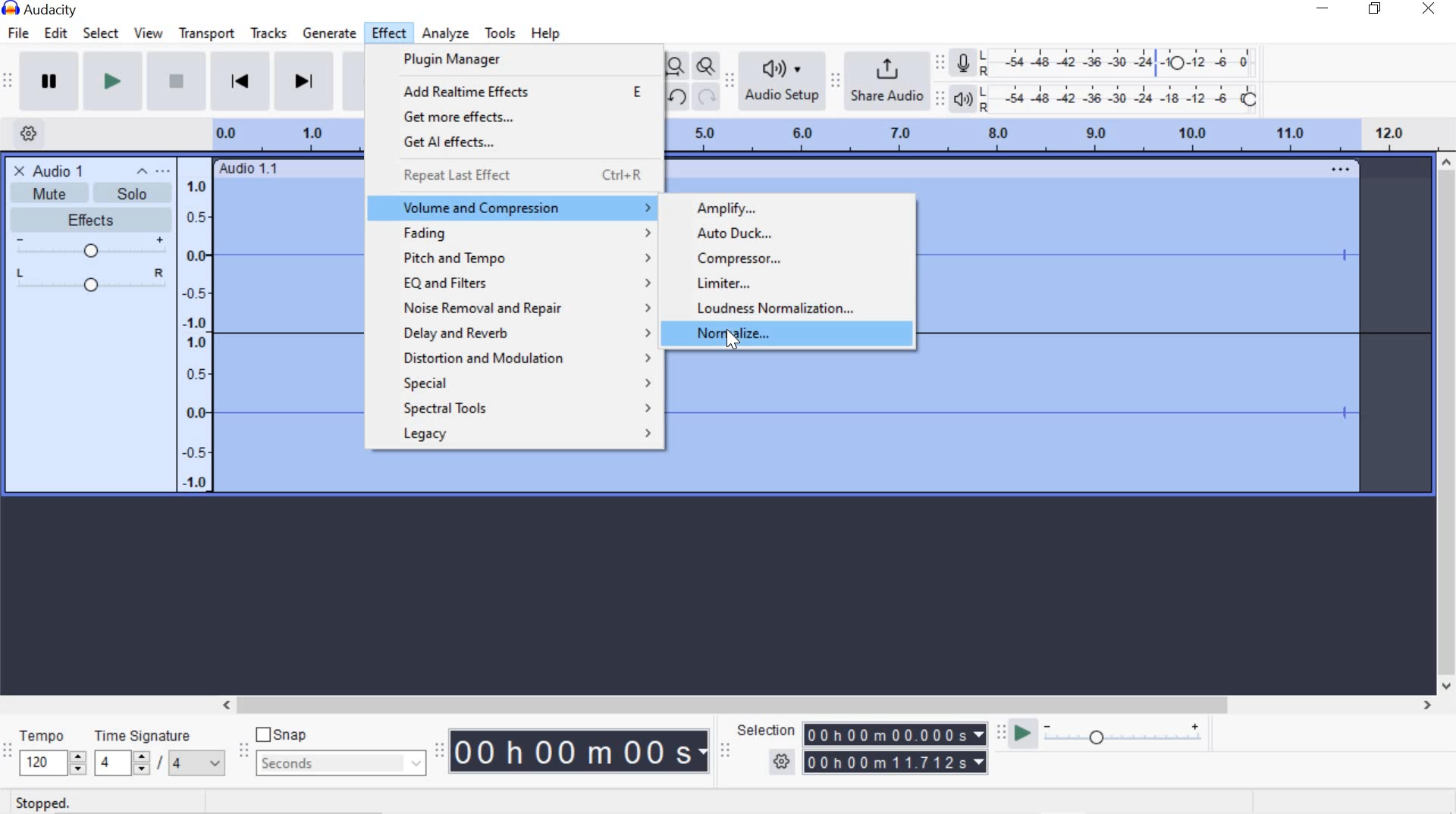  What do you see at coordinates (8, 751) in the screenshot?
I see `Time signature toolbar` at bounding box center [8, 751].